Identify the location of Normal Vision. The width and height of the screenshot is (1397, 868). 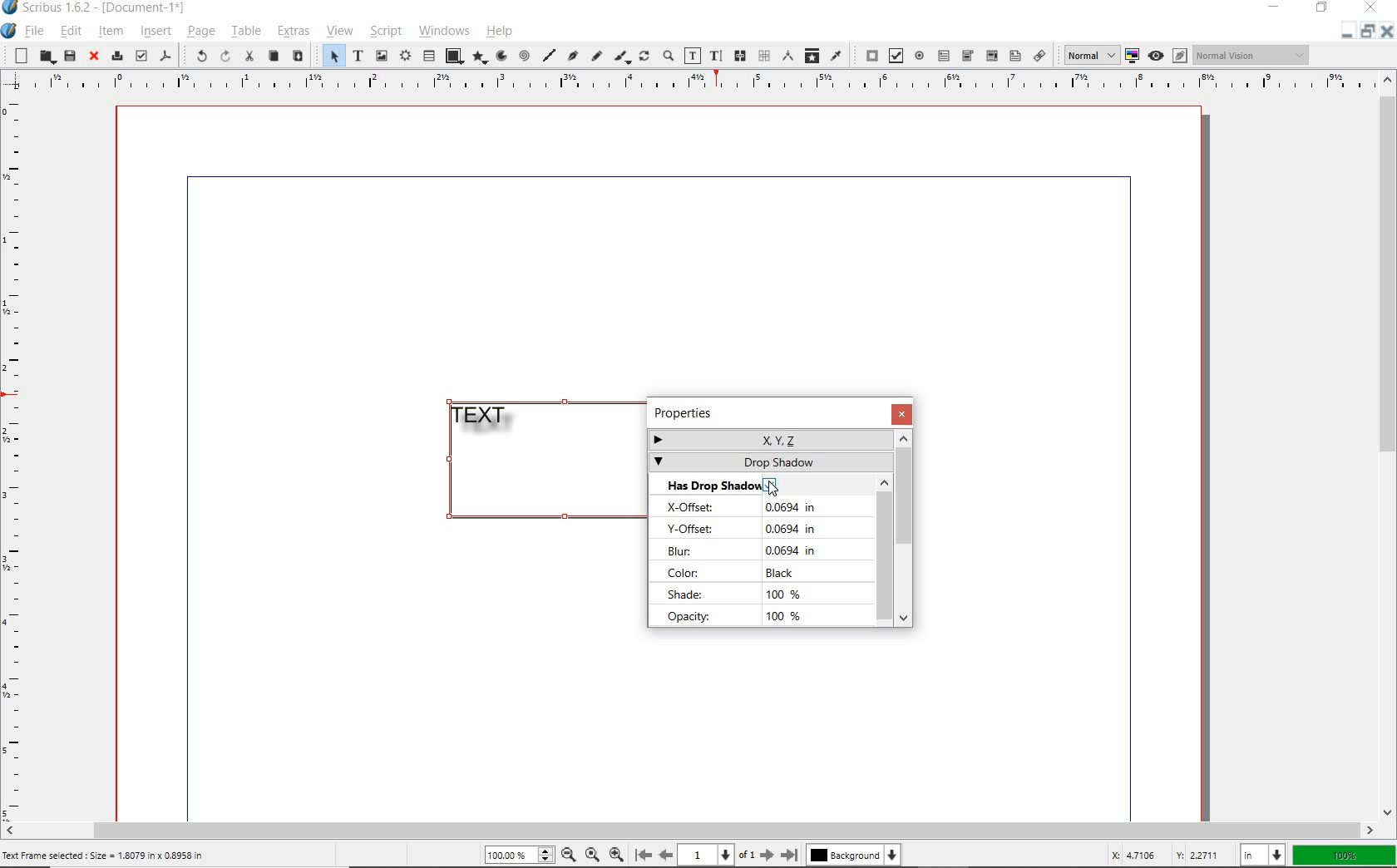
(1253, 57).